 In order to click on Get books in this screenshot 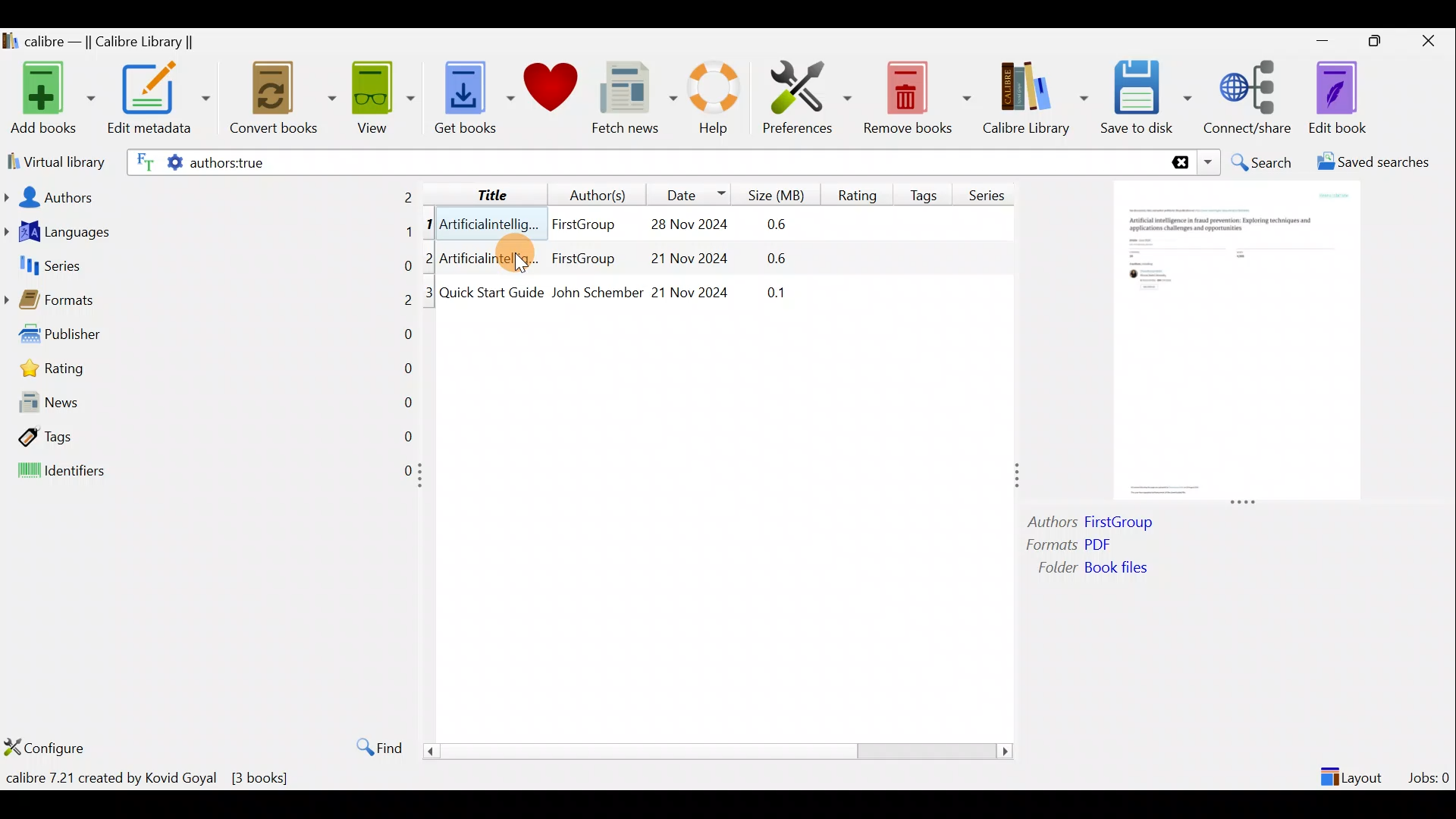, I will do `click(472, 96)`.